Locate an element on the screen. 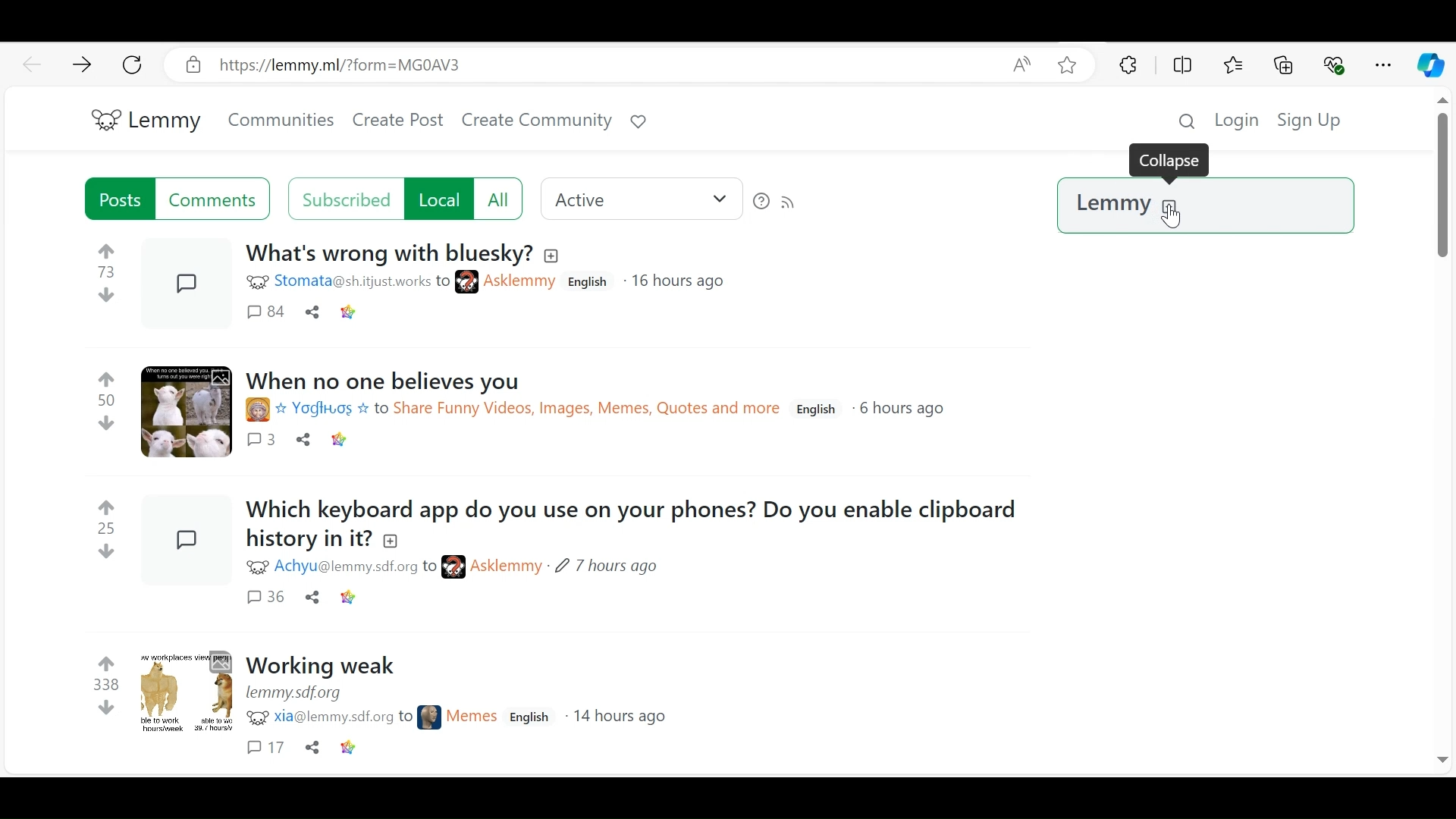 The height and width of the screenshot is (819, 1456). share is located at coordinates (306, 440).